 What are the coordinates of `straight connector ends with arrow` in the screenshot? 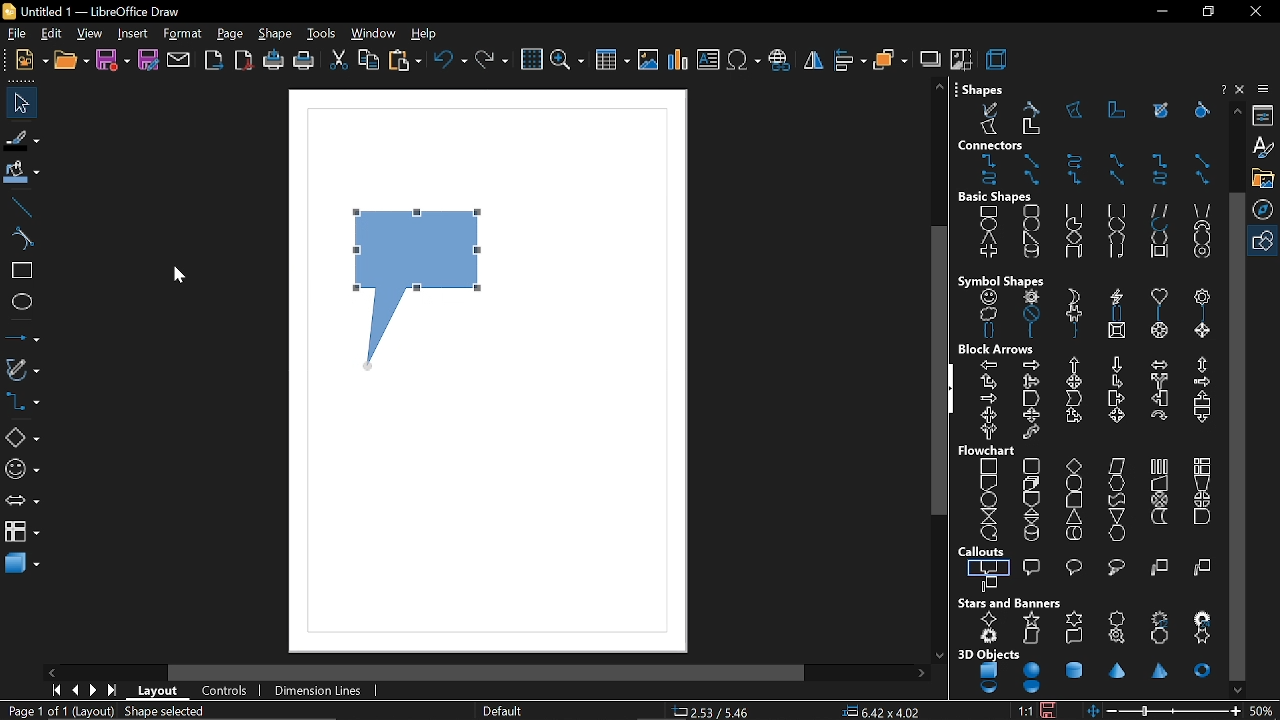 It's located at (1030, 160).